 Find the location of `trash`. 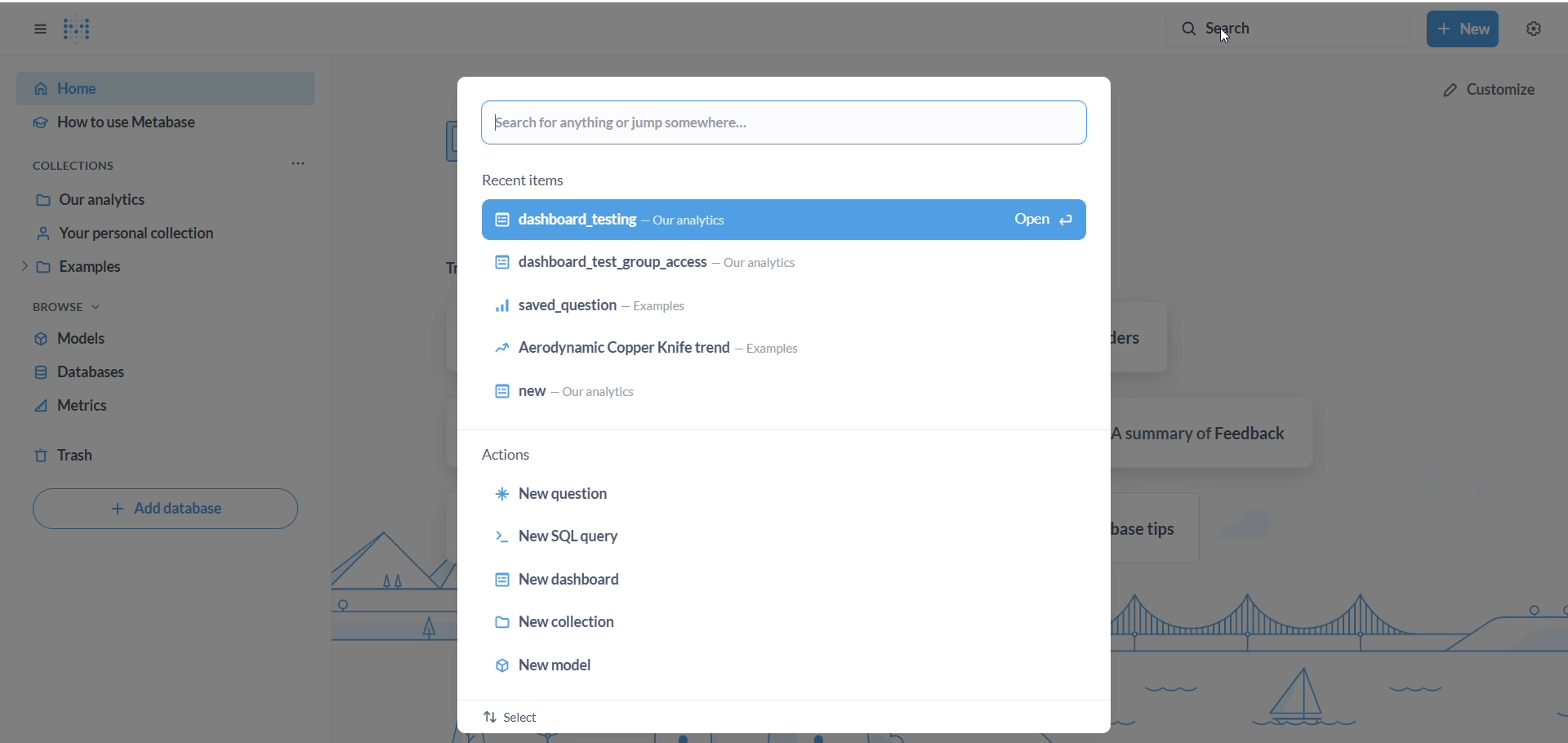

trash is located at coordinates (106, 451).